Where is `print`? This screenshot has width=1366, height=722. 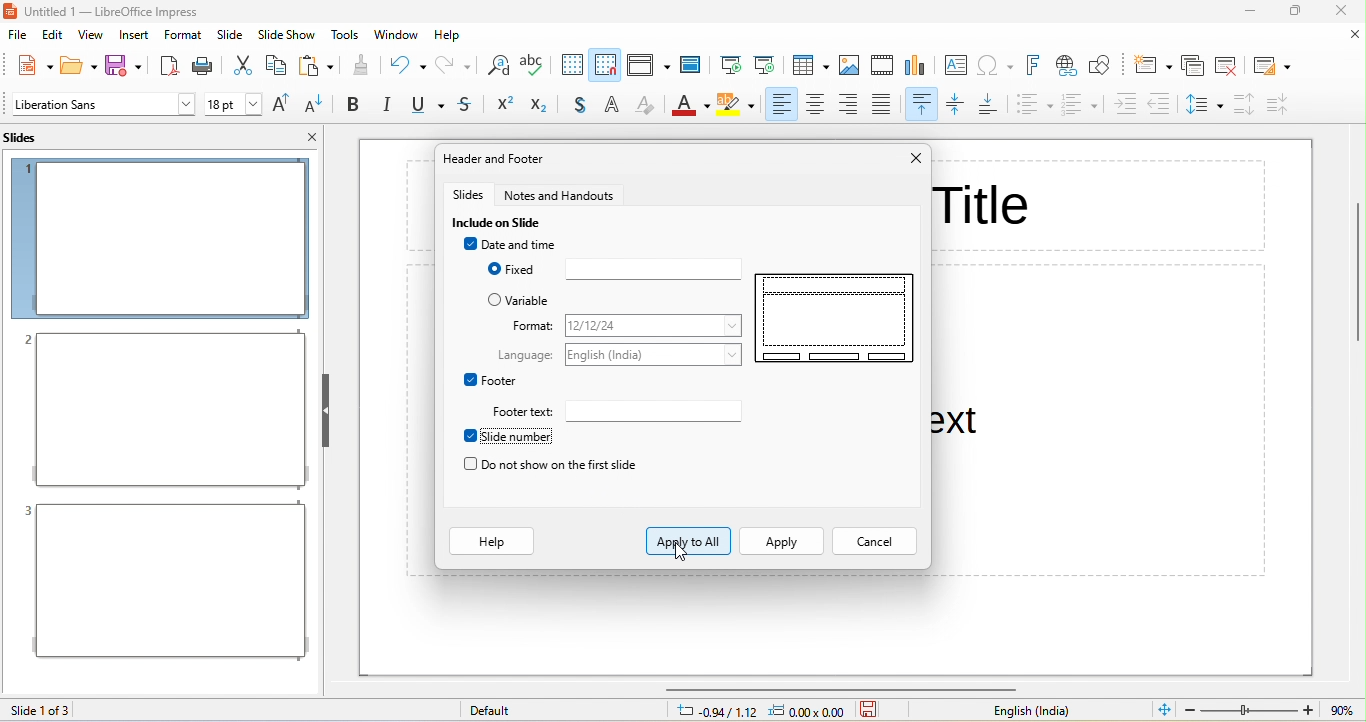
print is located at coordinates (205, 65).